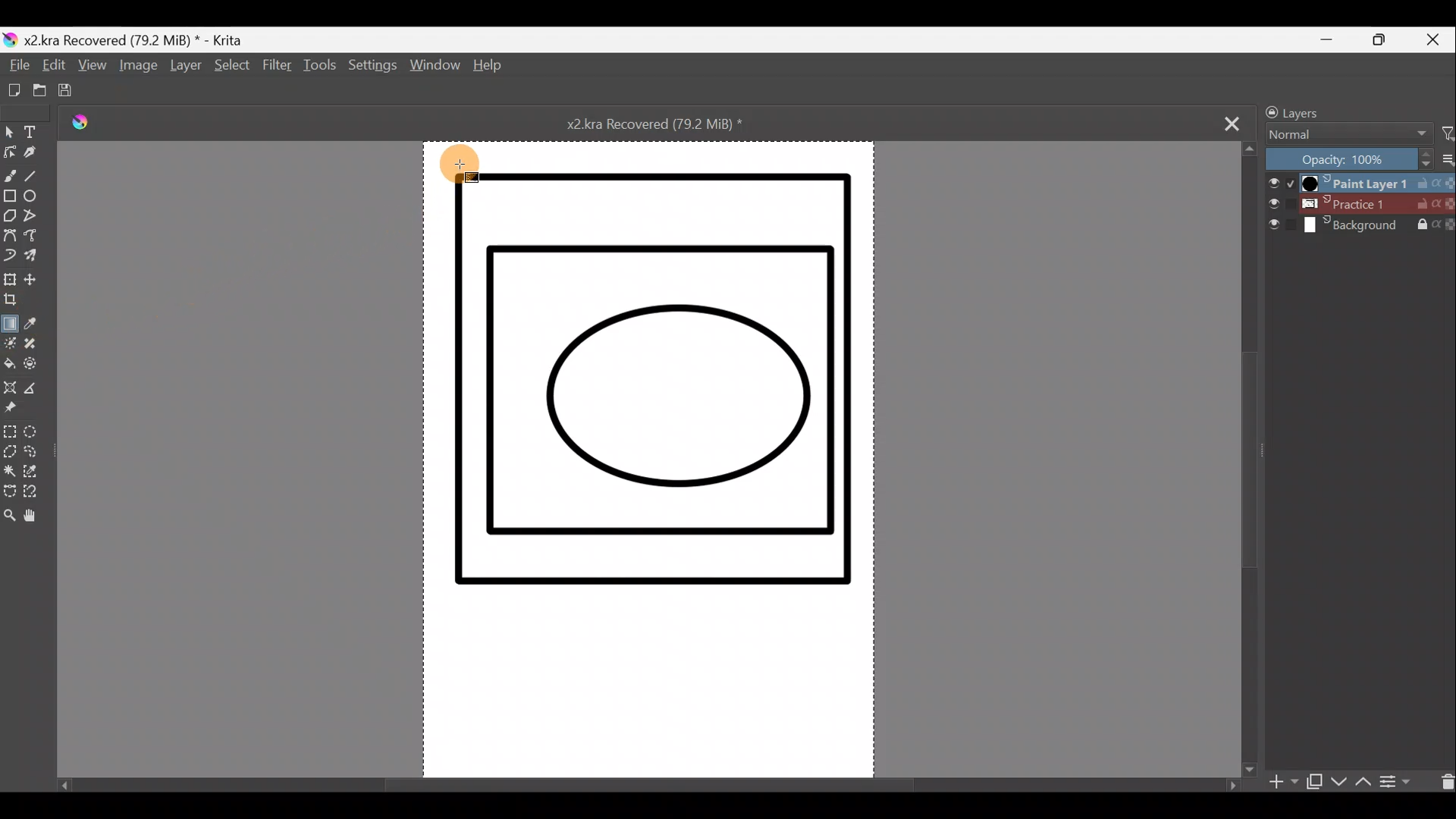 The height and width of the screenshot is (819, 1456). I want to click on Add layer/mask, so click(1285, 783).